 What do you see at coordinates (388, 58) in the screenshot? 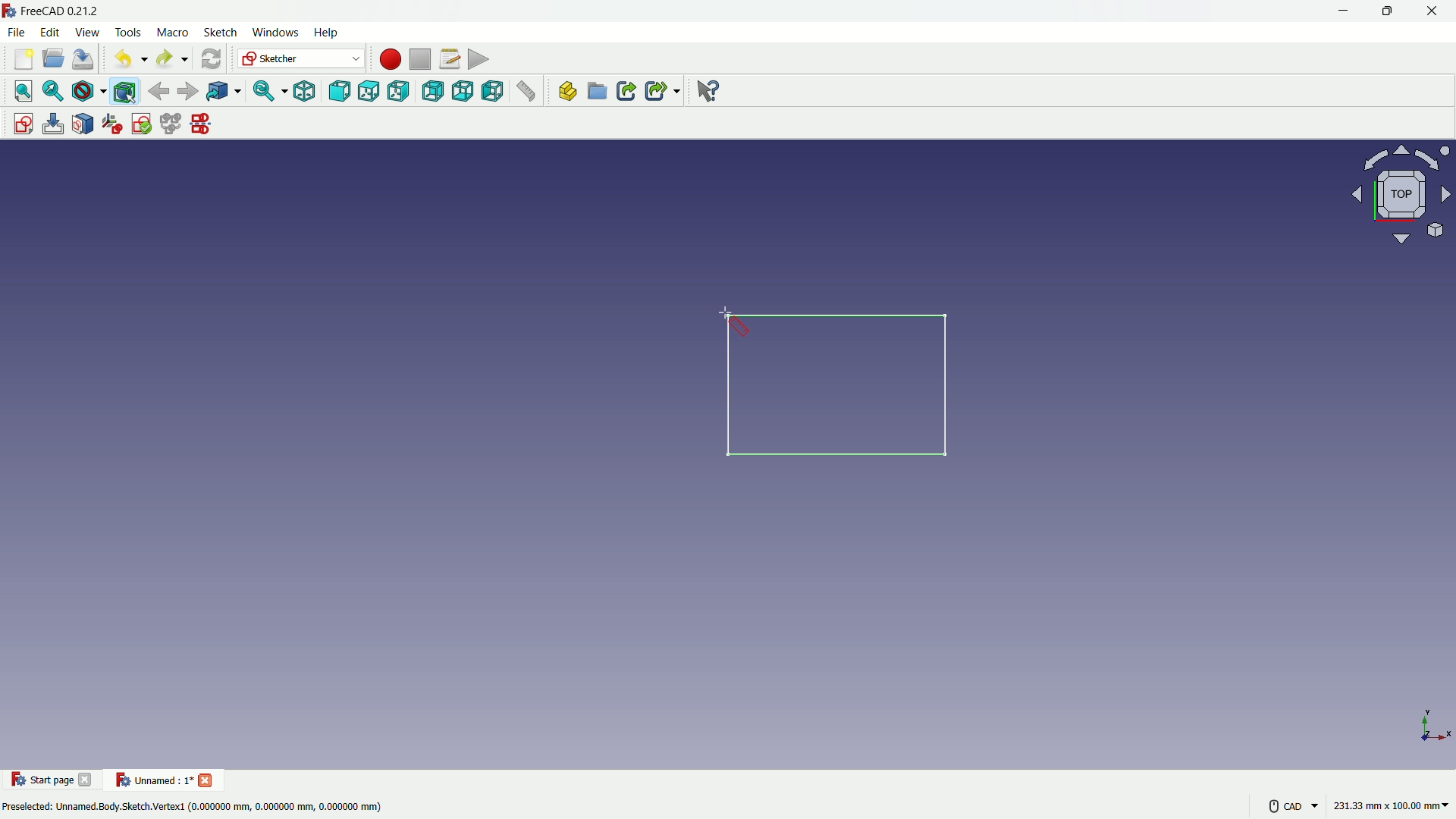
I see `start macros` at bounding box center [388, 58].